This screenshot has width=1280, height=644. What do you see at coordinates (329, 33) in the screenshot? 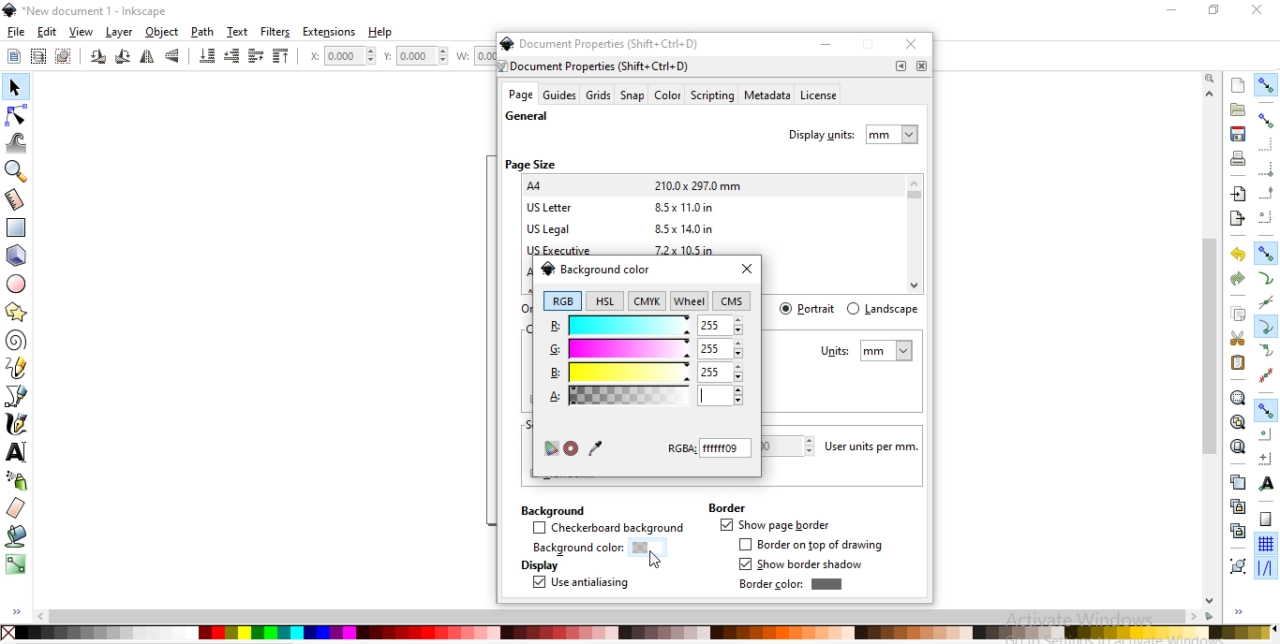
I see `extensions` at bounding box center [329, 33].